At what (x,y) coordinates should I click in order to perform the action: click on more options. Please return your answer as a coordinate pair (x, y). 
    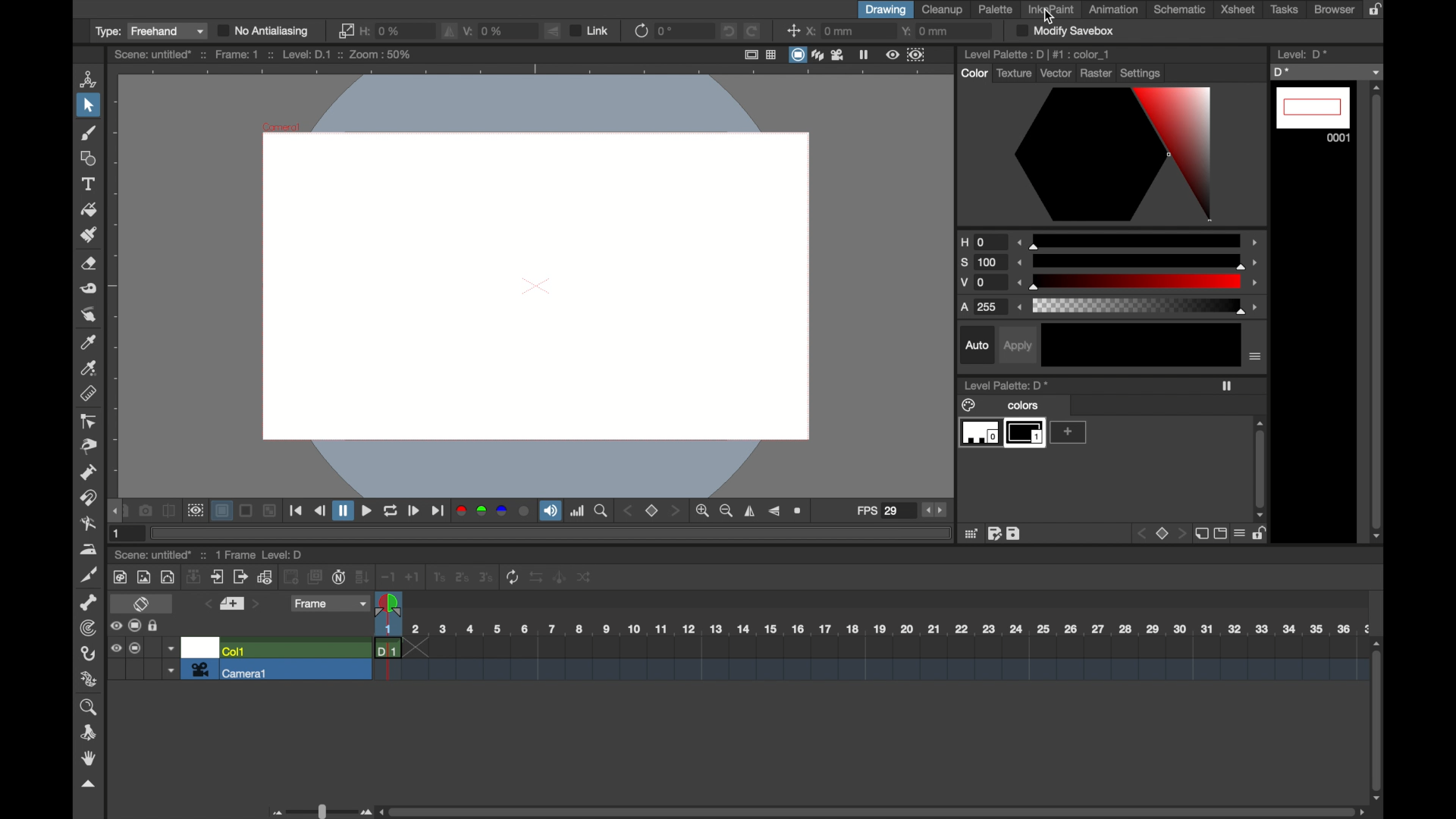
    Looking at the image, I should click on (1255, 356).